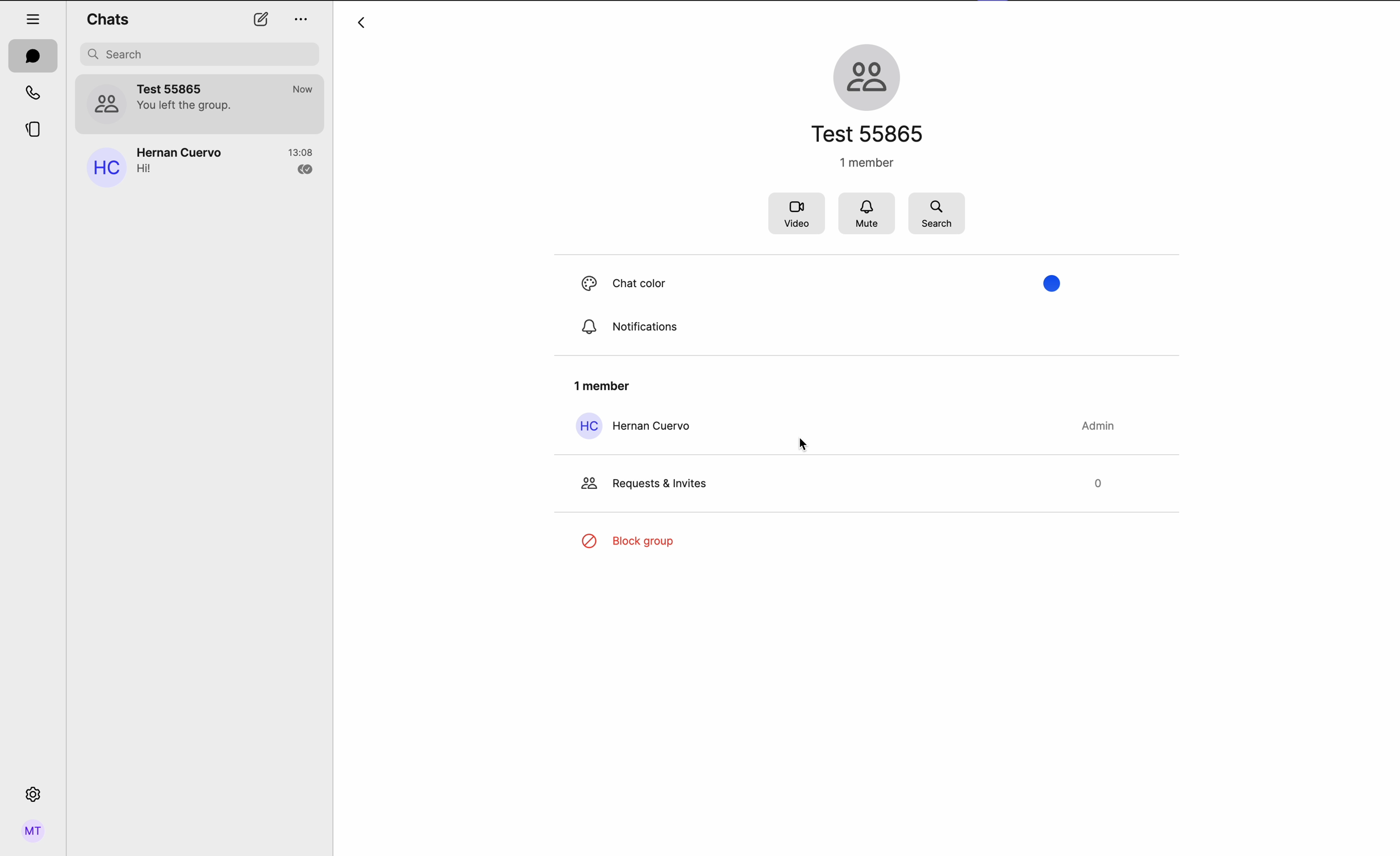  Describe the element at coordinates (105, 102) in the screenshot. I see `profile picture` at that location.